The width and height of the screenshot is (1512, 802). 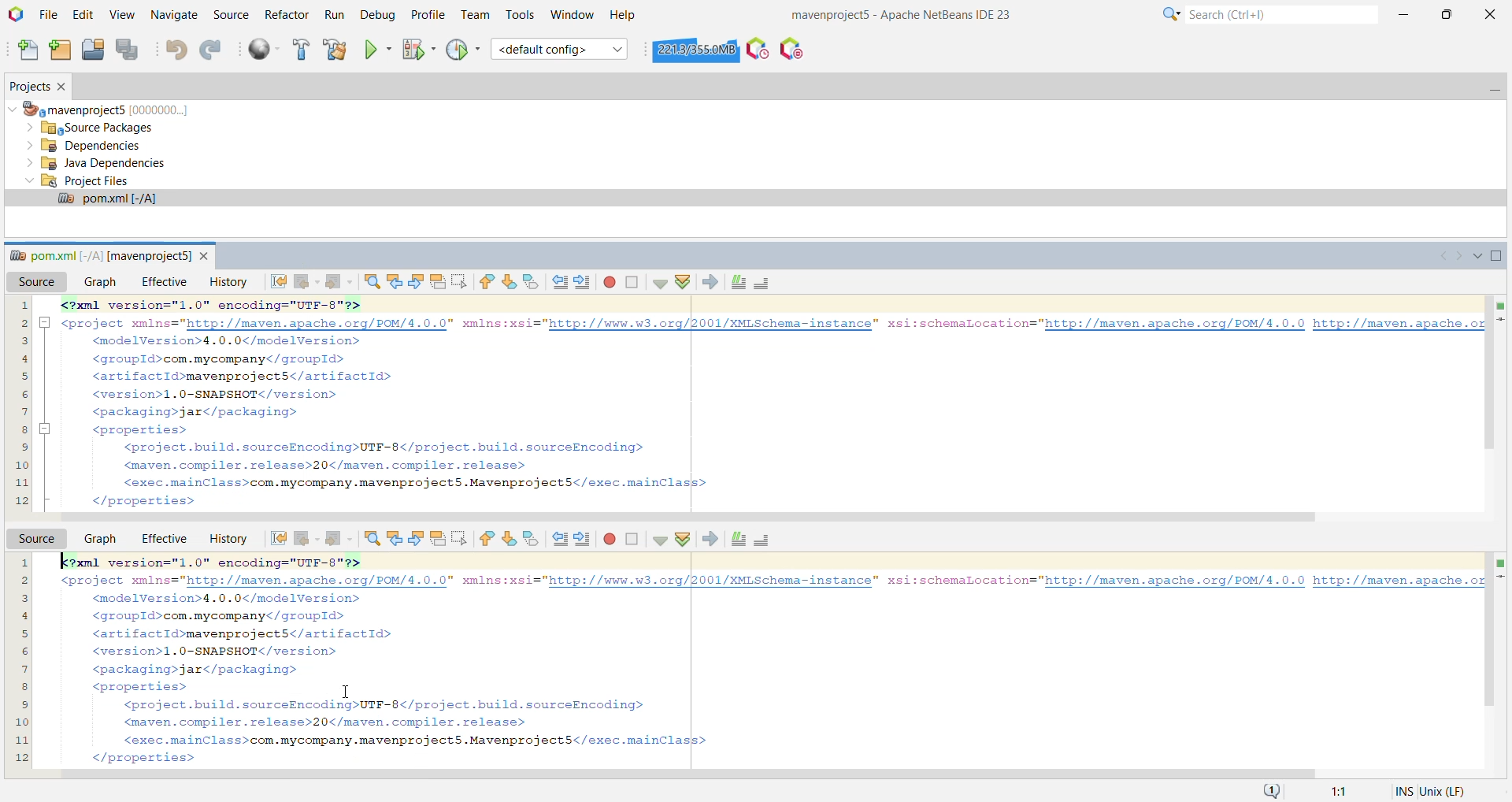 I want to click on Run, so click(x=333, y=16).